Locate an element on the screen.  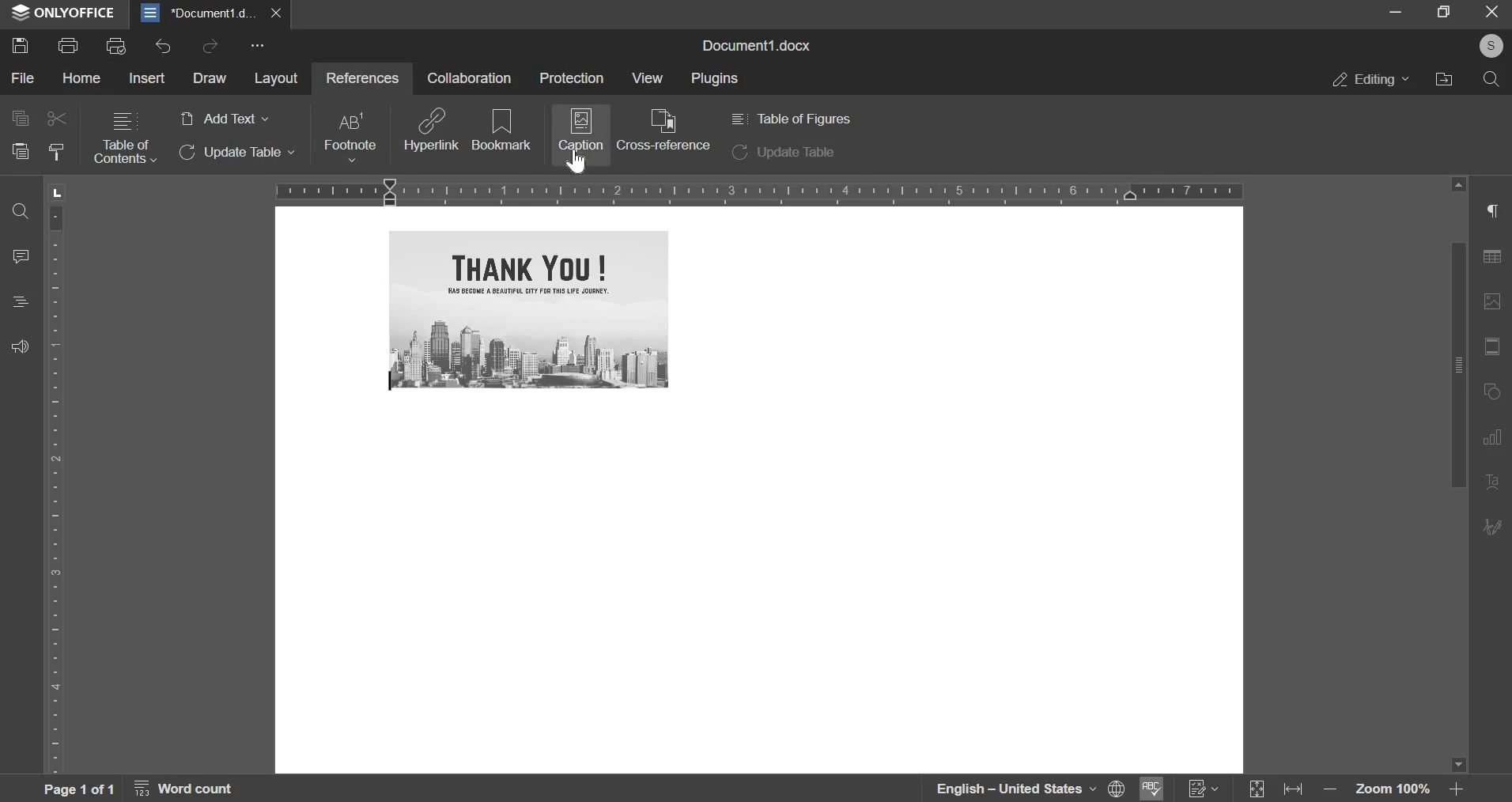
vertical slider is located at coordinates (1457, 475).